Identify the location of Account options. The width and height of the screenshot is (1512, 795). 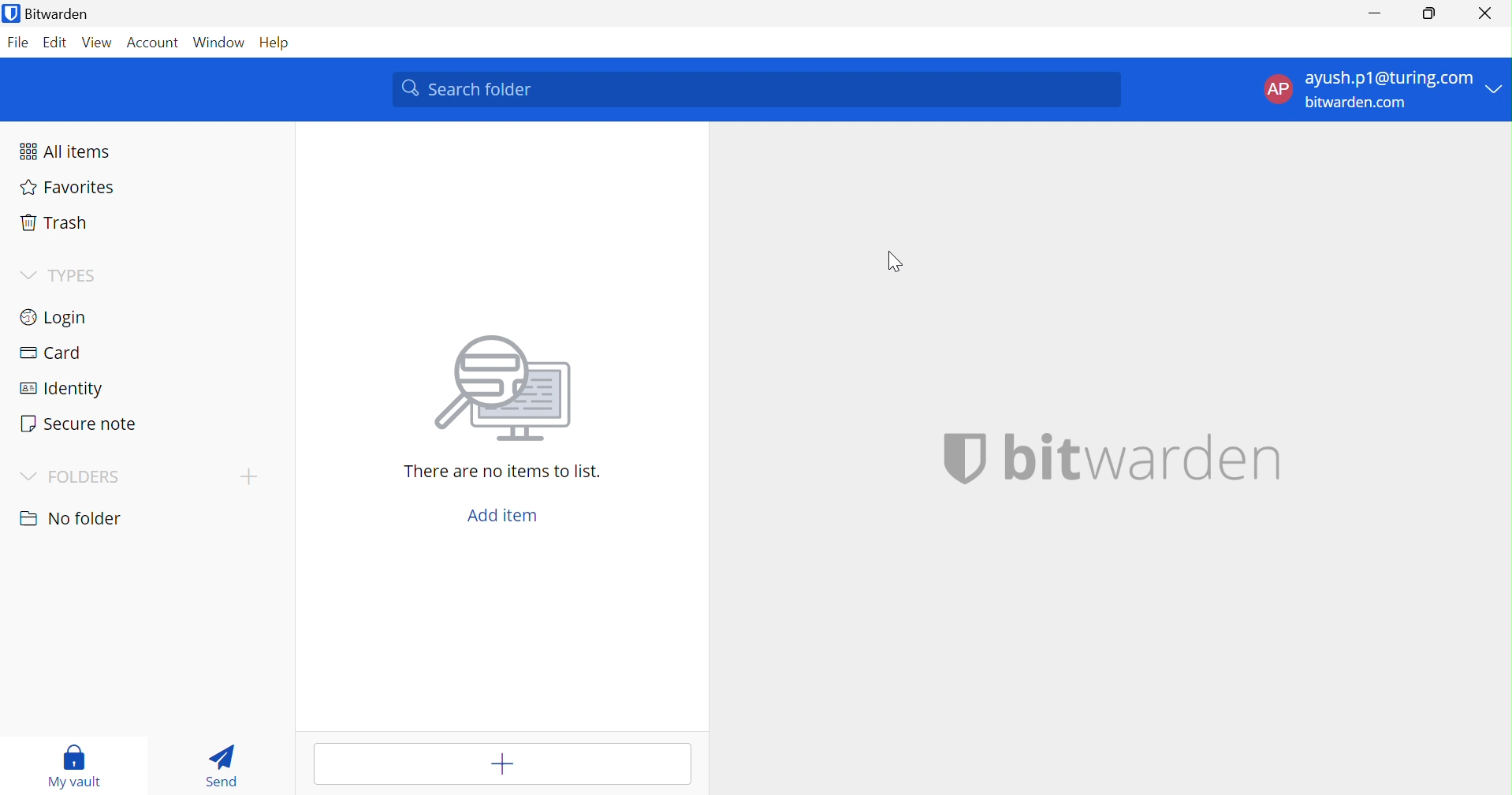
(1384, 88).